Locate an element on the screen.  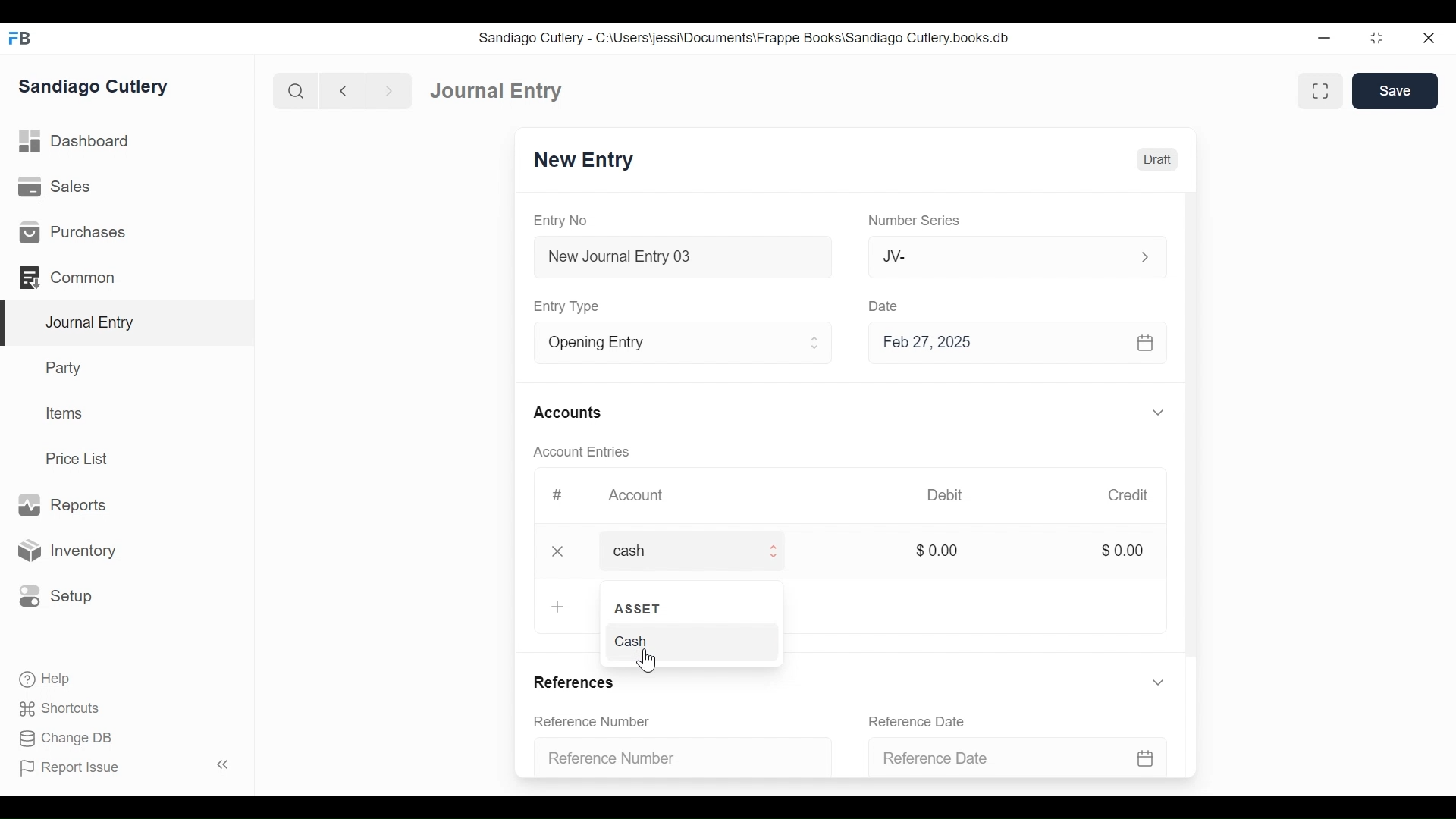
Inventory is located at coordinates (65, 550).